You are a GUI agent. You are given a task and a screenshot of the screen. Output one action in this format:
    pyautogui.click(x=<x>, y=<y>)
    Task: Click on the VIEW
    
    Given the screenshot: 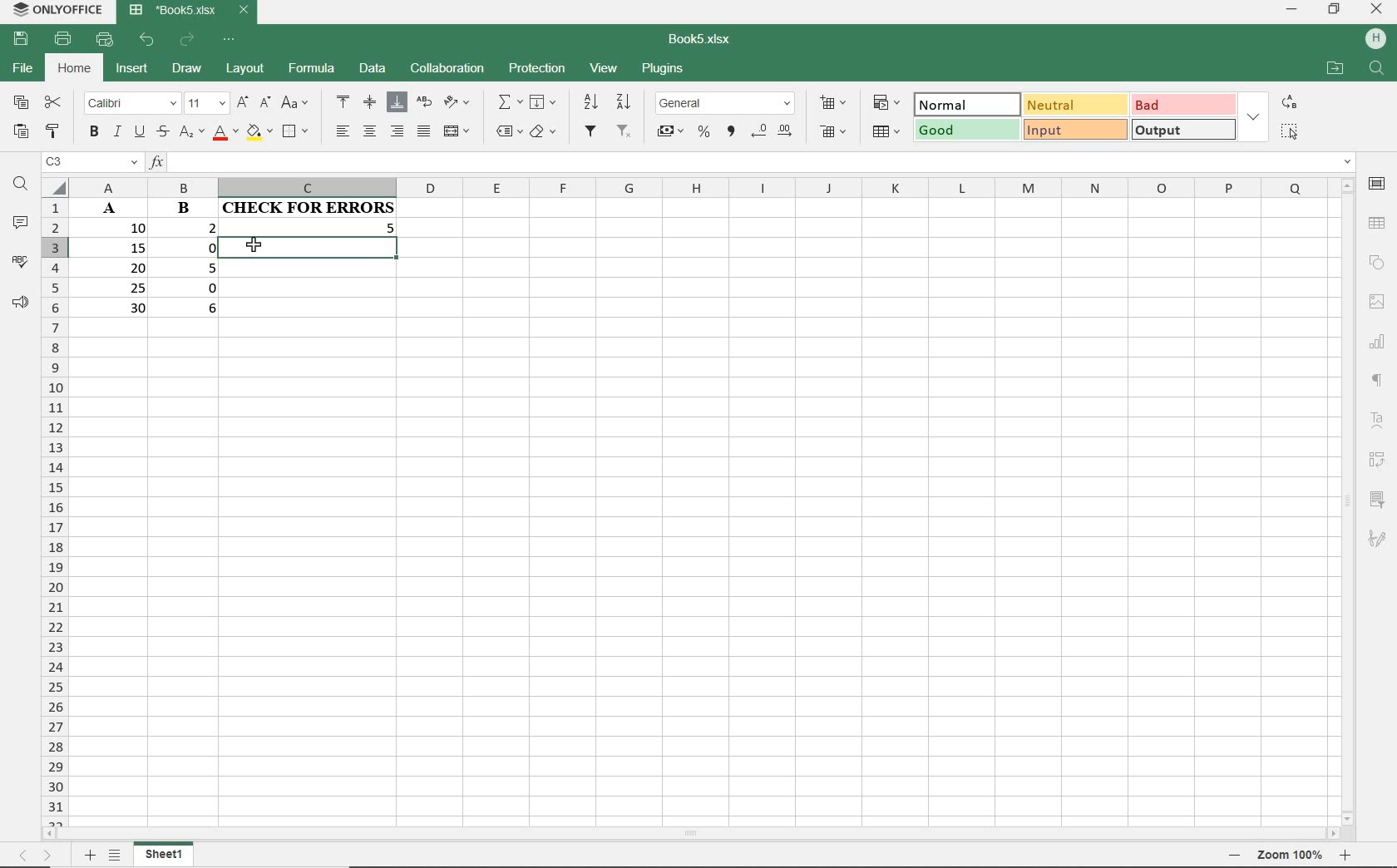 What is the action you would take?
    pyautogui.click(x=605, y=70)
    